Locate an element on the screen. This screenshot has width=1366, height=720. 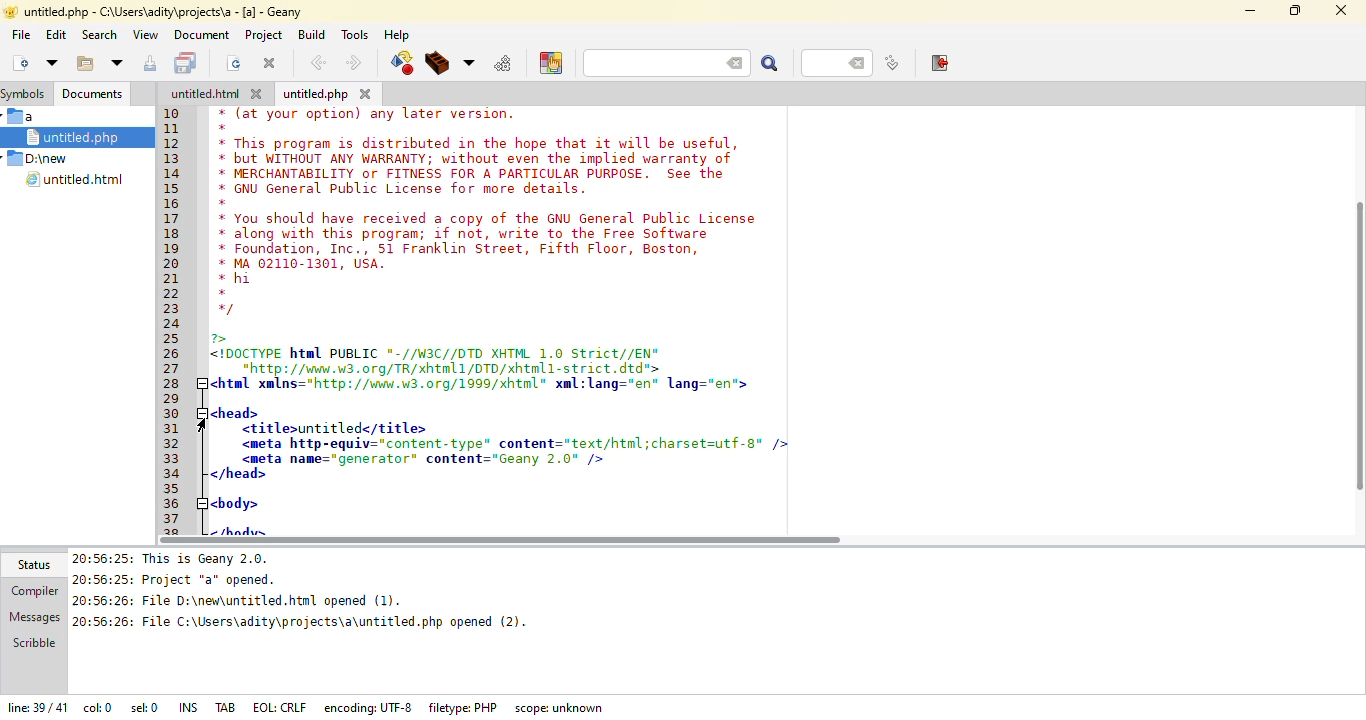
sel: 0 is located at coordinates (145, 708).